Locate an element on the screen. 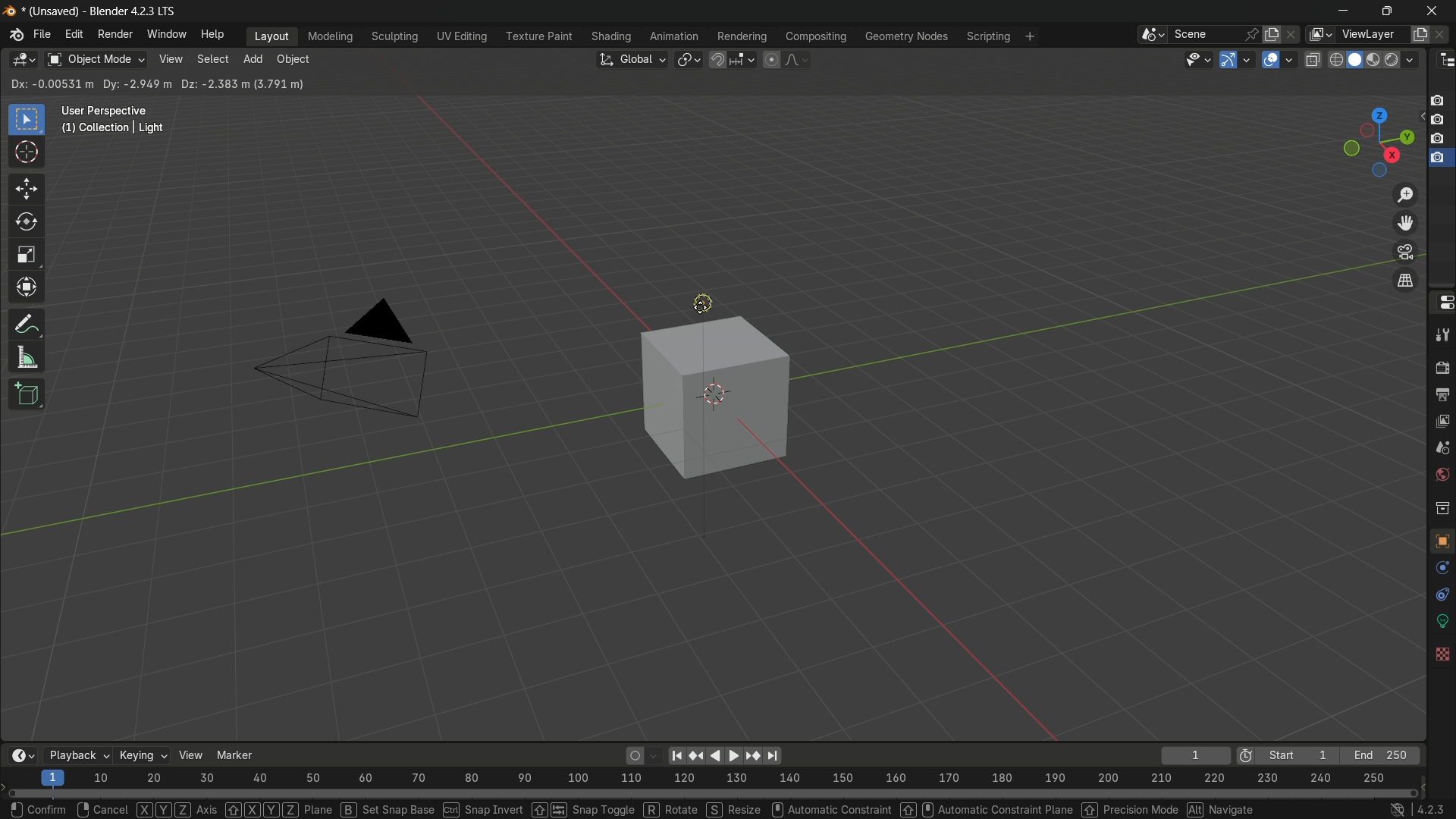 The height and width of the screenshot is (819, 1456). rotate is located at coordinates (28, 222).